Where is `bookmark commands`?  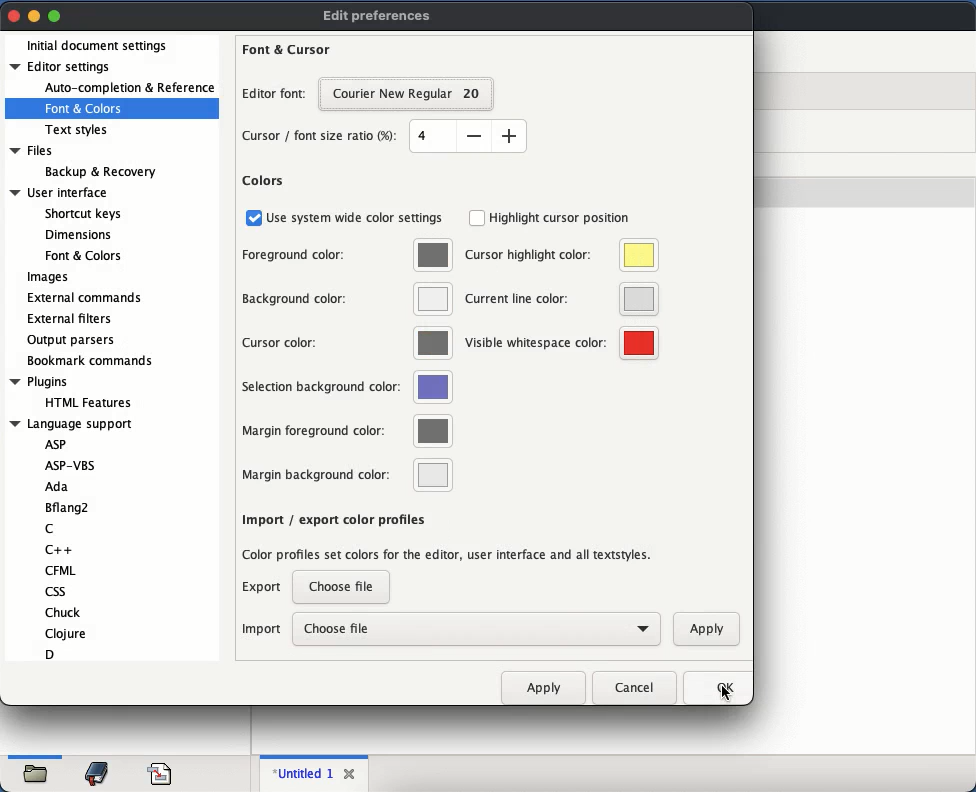
bookmark commands is located at coordinates (92, 362).